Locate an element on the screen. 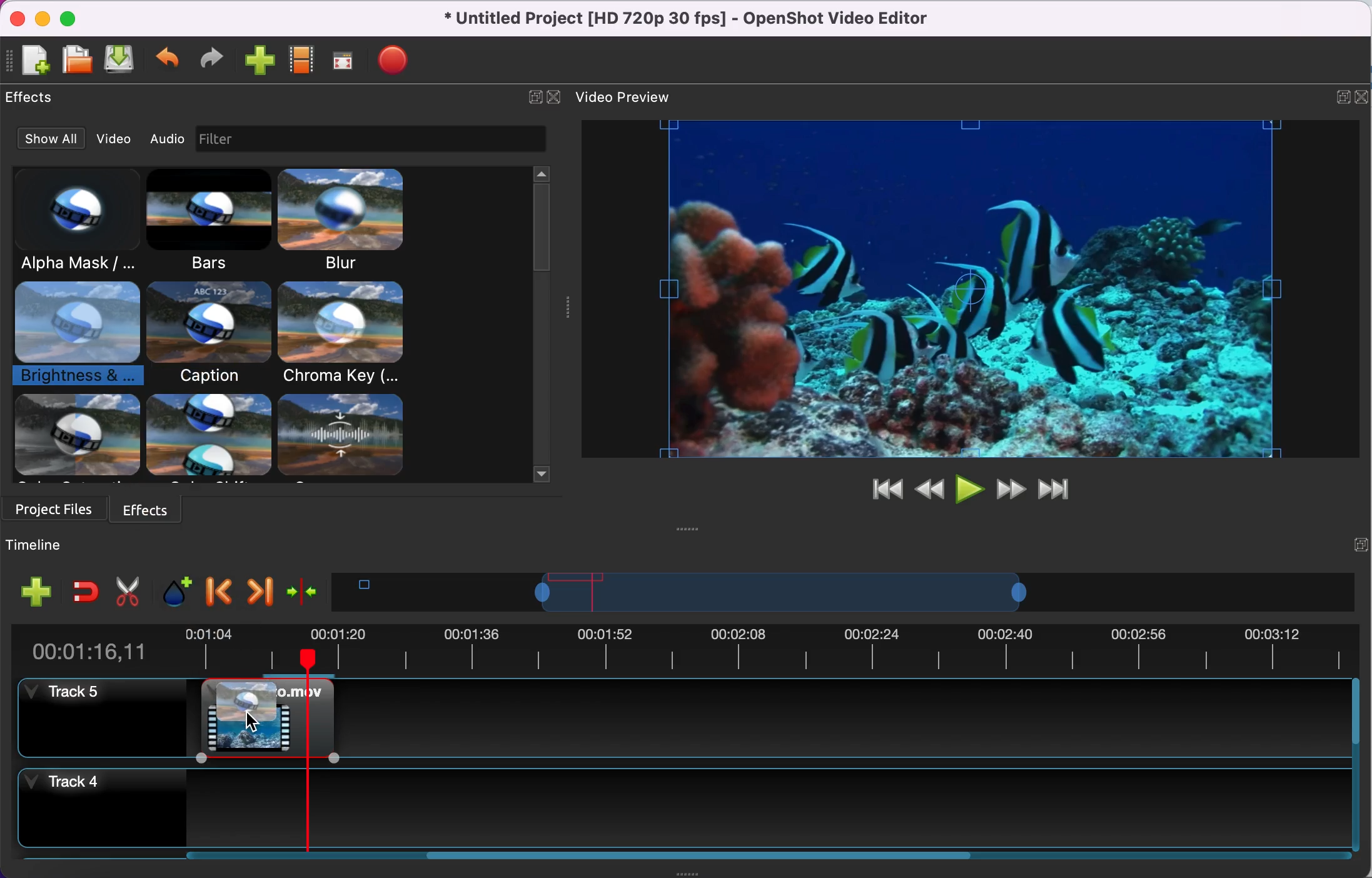 Image resolution: width=1372 pixels, height=878 pixels. redo is located at coordinates (208, 60).